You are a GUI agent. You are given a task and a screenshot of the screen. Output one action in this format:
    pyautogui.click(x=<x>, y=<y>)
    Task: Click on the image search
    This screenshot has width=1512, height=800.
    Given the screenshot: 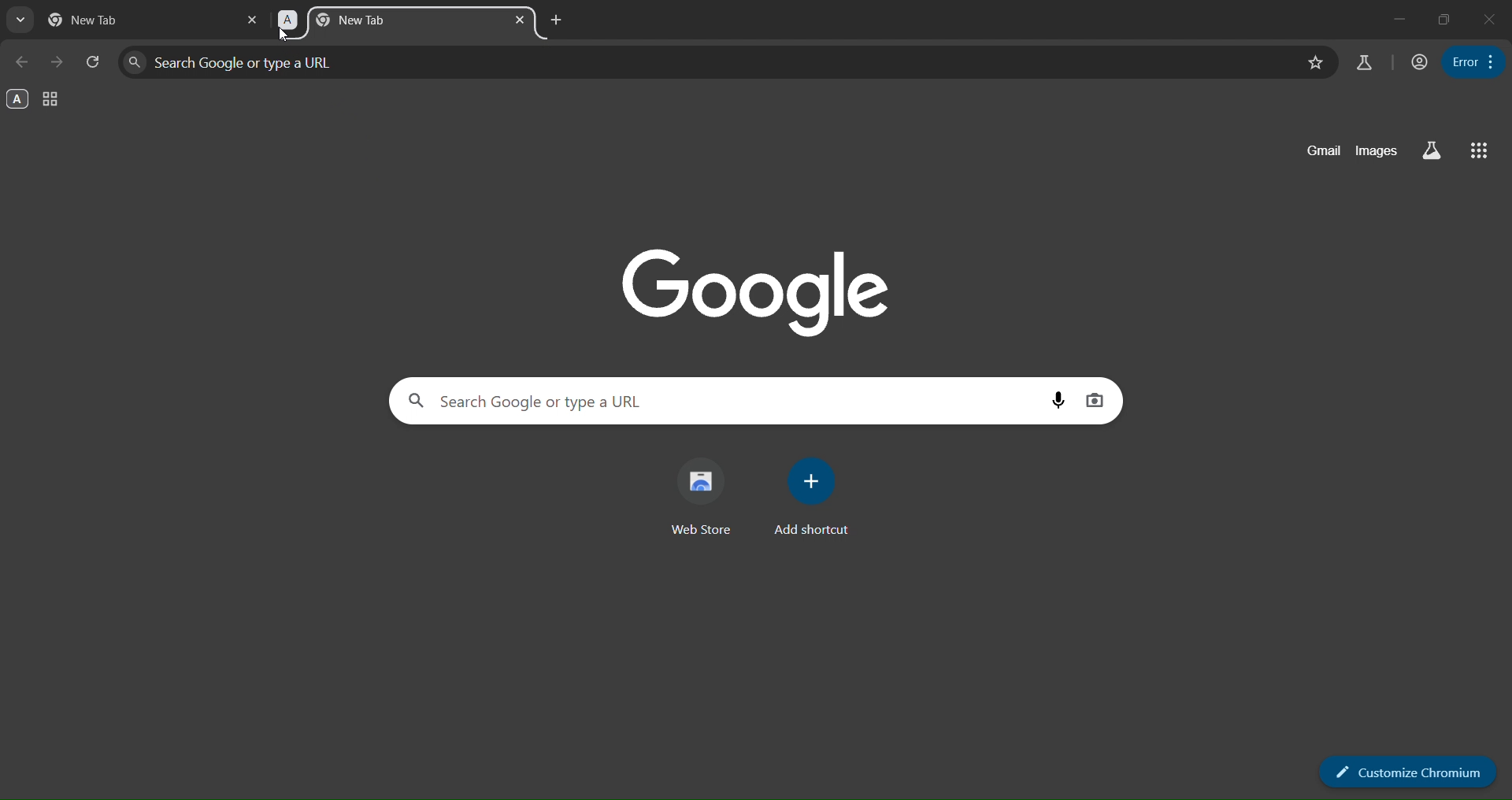 What is the action you would take?
    pyautogui.click(x=1095, y=400)
    